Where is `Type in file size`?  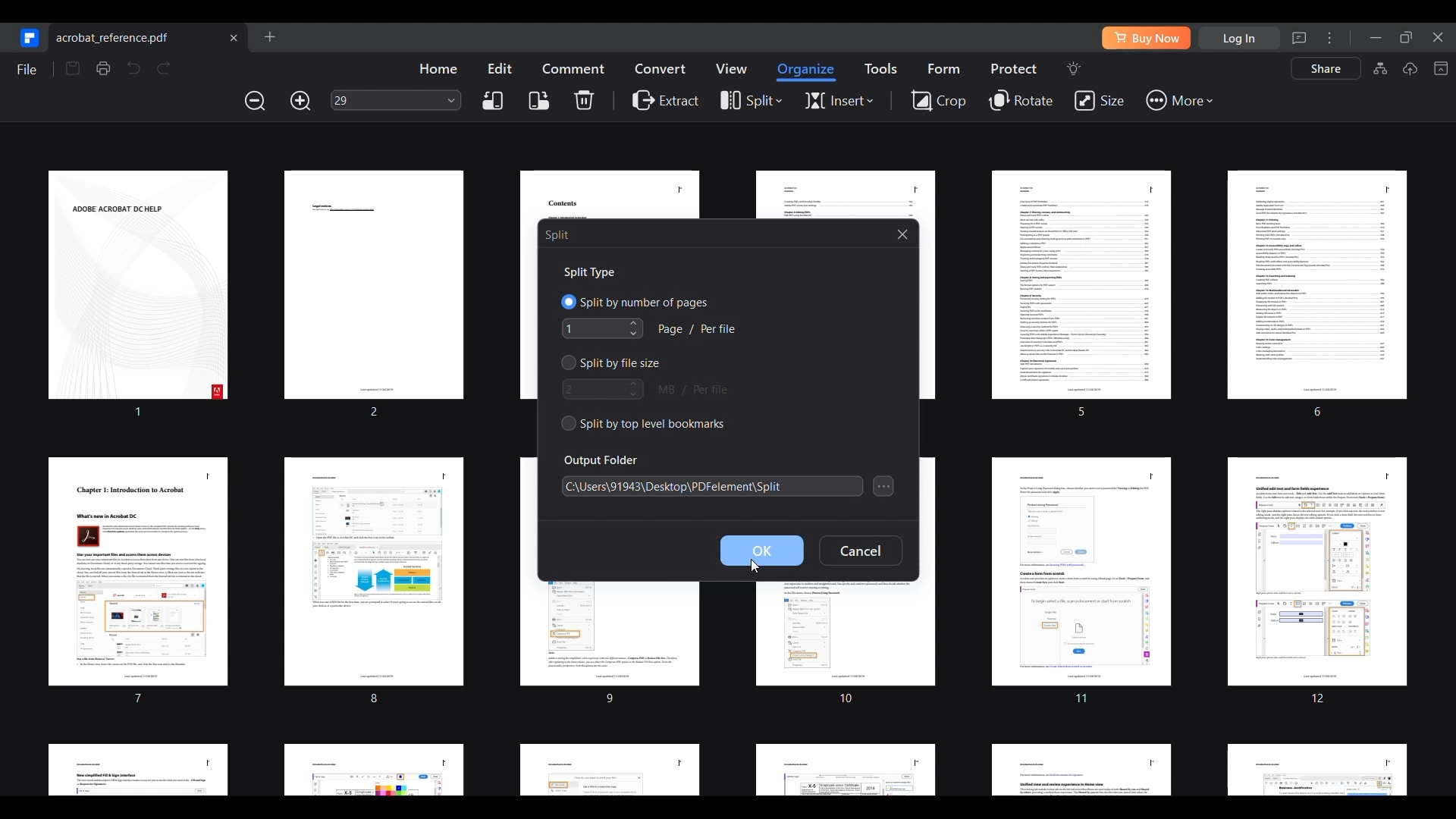
Type in file size is located at coordinates (592, 389).